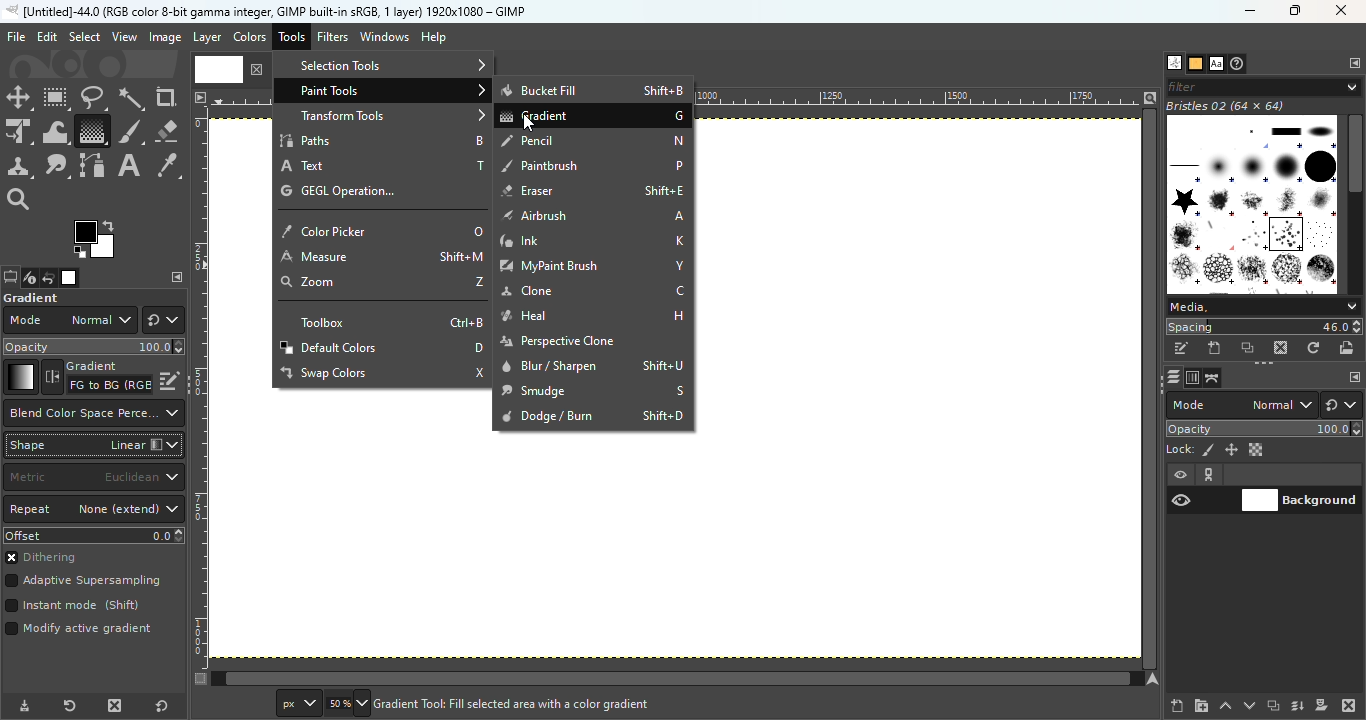  What do you see at coordinates (49, 277) in the screenshot?
I see `Open the undo history dialog` at bounding box center [49, 277].